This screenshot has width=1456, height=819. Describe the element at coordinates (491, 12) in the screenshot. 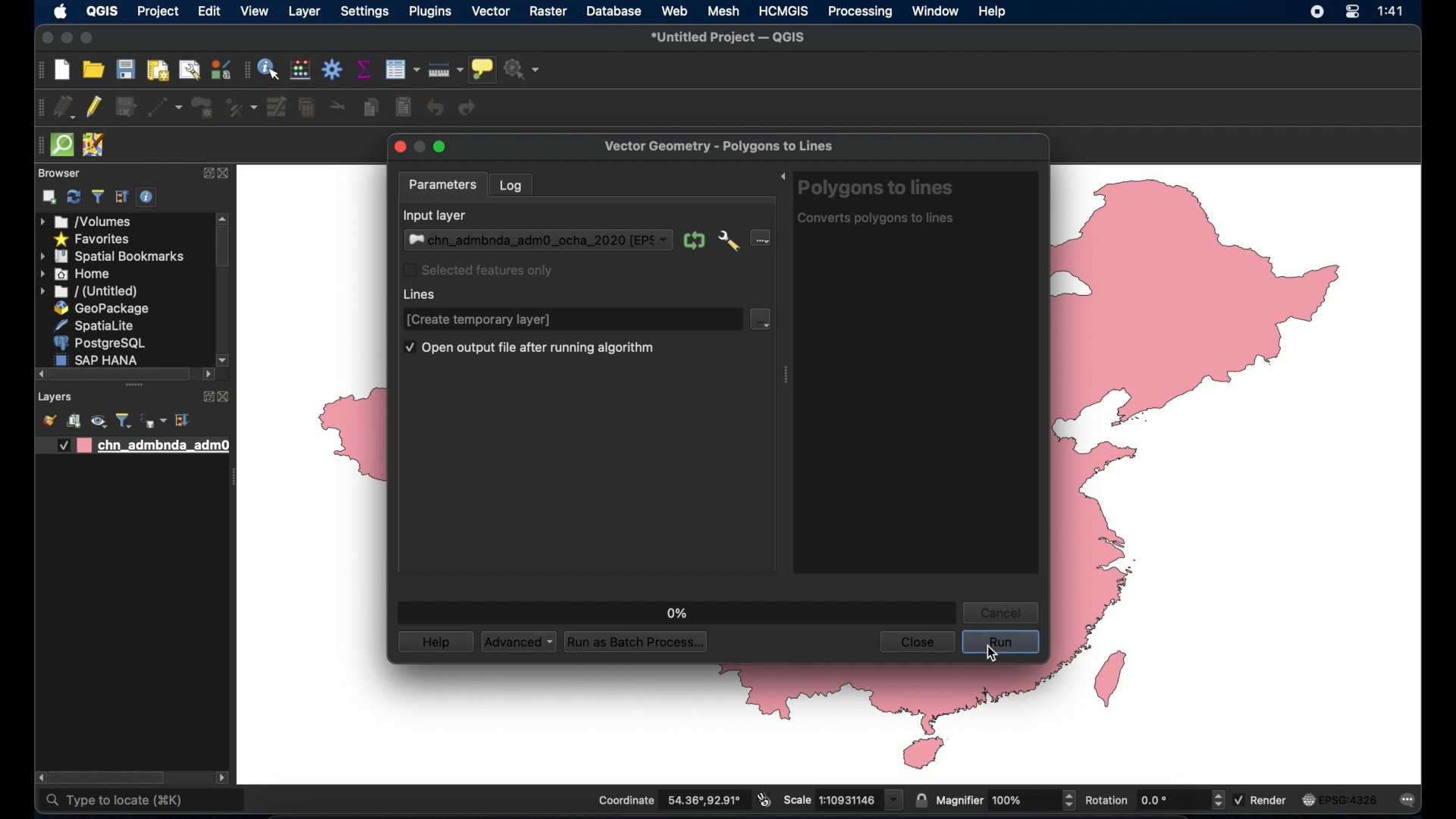

I see `vector` at that location.